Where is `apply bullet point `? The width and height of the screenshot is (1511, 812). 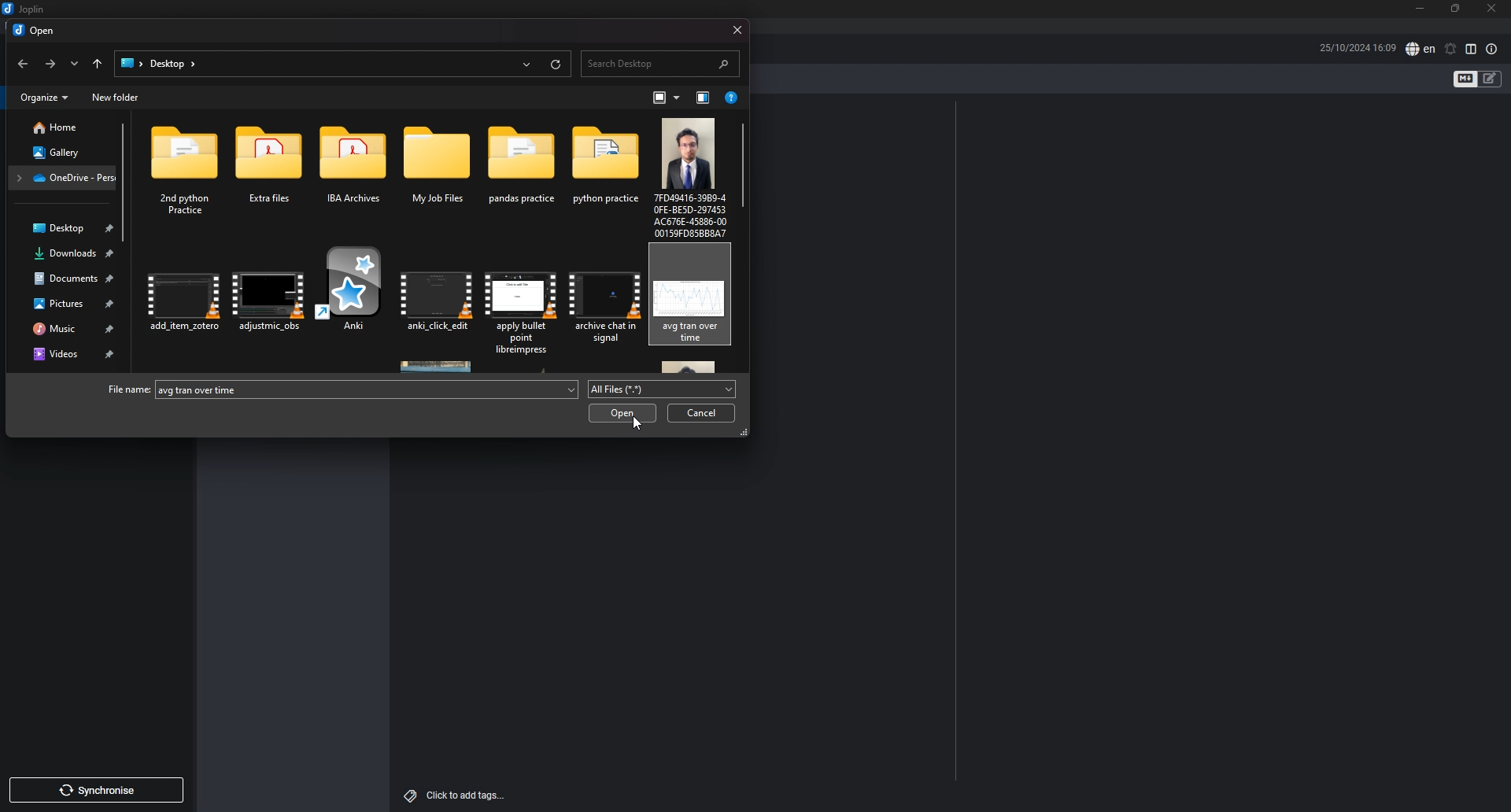 apply bullet point  is located at coordinates (521, 305).